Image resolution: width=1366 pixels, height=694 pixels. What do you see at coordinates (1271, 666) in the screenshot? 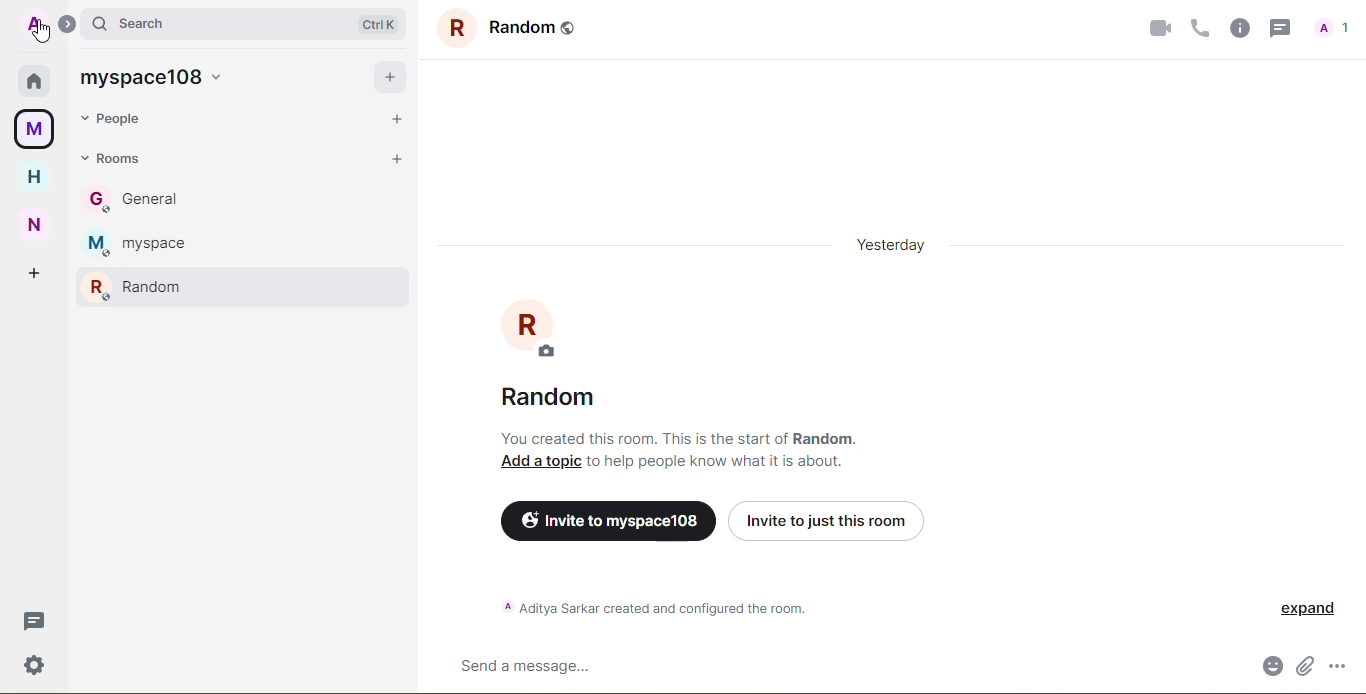
I see `emoji` at bounding box center [1271, 666].